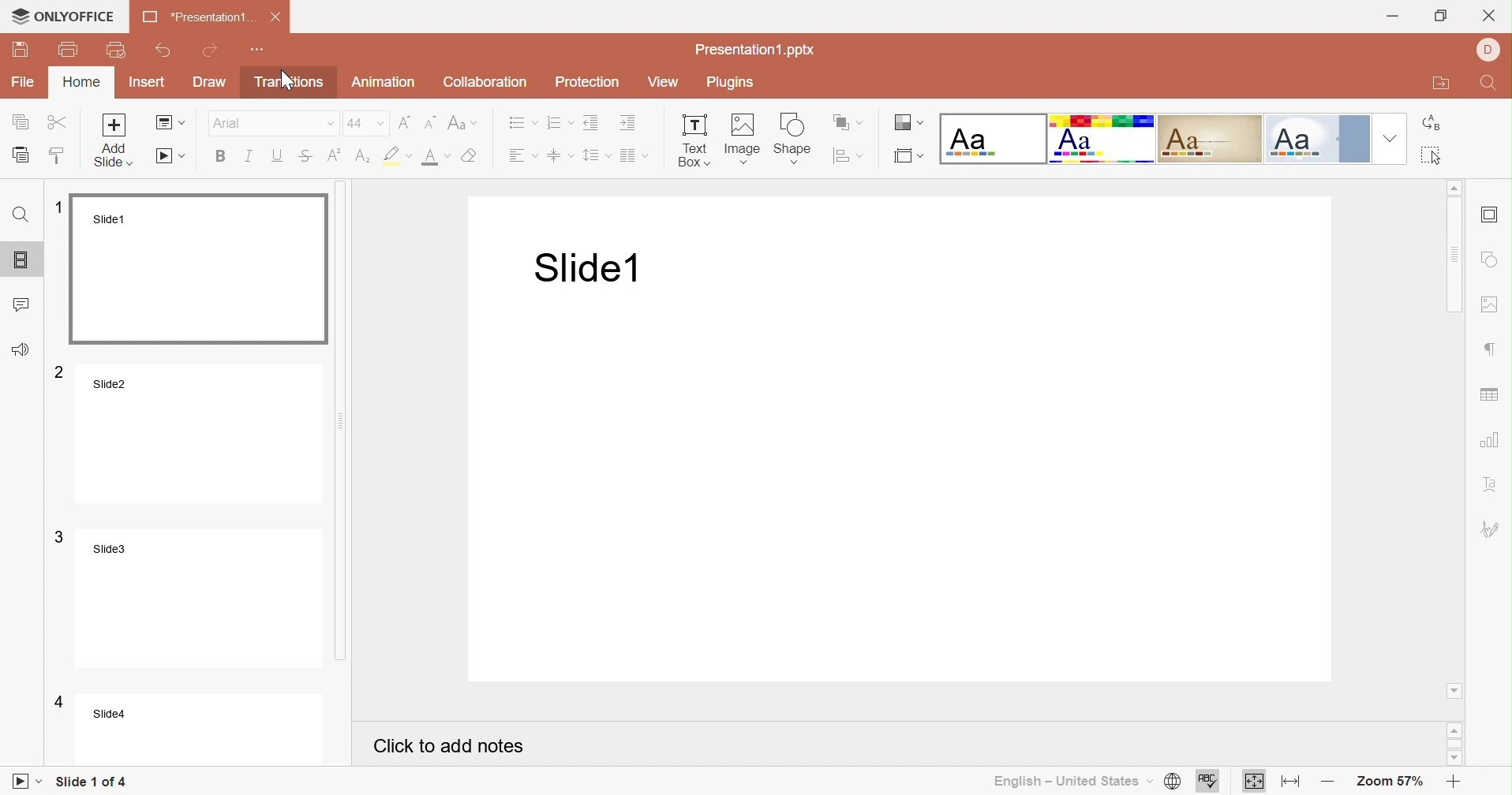  Describe the element at coordinates (1393, 137) in the screenshot. I see `Drop down` at that location.